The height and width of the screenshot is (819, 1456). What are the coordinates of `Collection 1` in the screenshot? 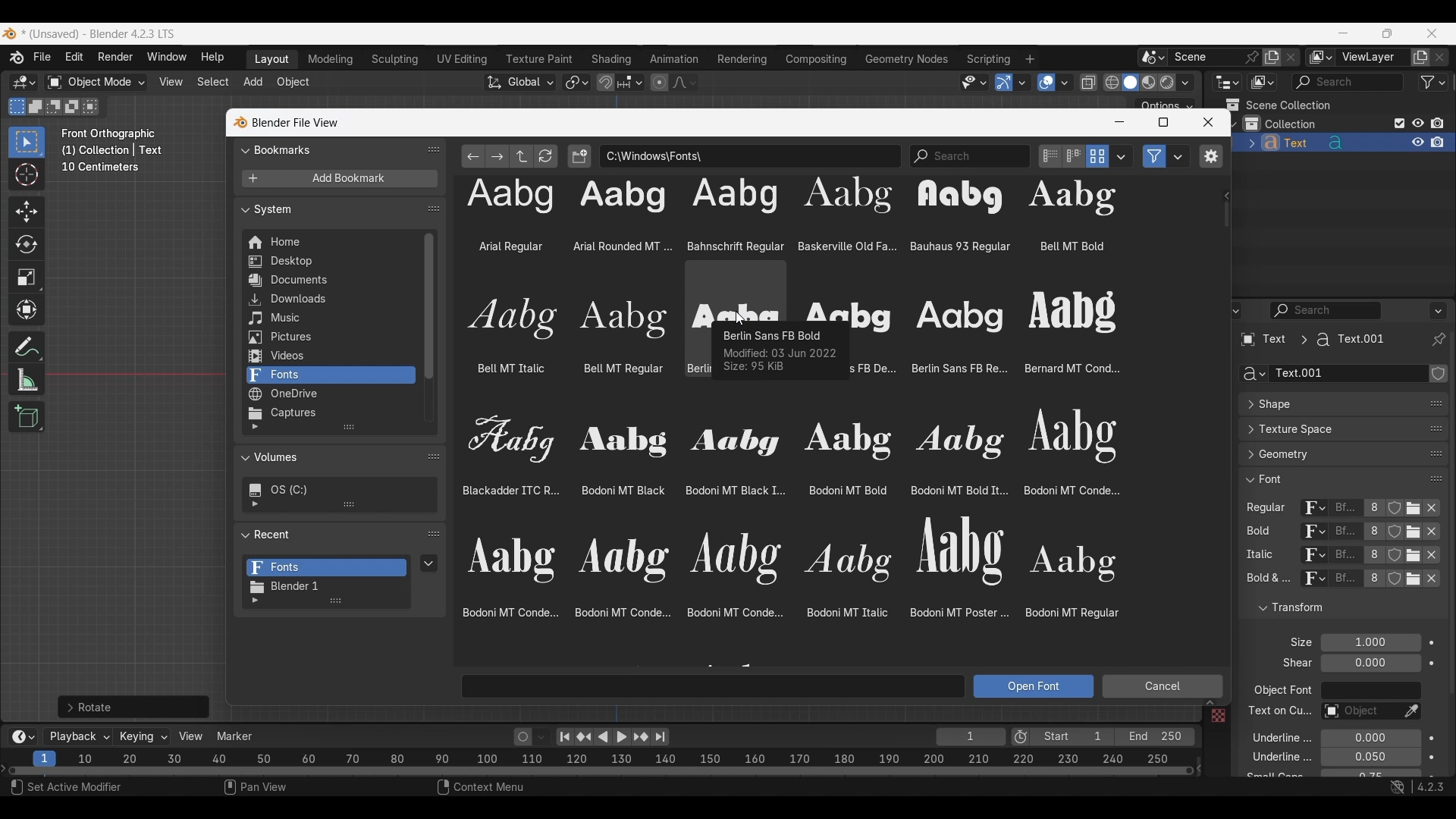 It's located at (1283, 124).